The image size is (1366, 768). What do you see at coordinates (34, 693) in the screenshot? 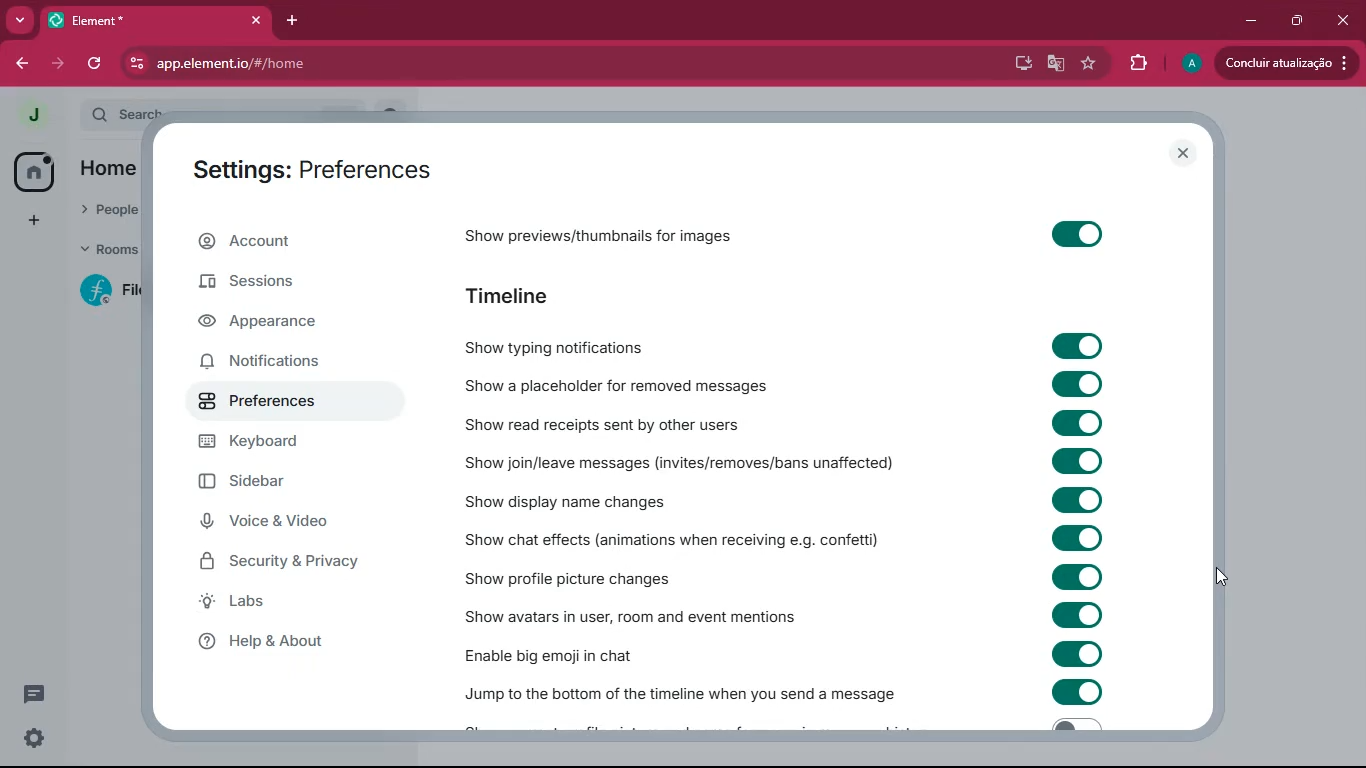
I see `conversation` at bounding box center [34, 693].